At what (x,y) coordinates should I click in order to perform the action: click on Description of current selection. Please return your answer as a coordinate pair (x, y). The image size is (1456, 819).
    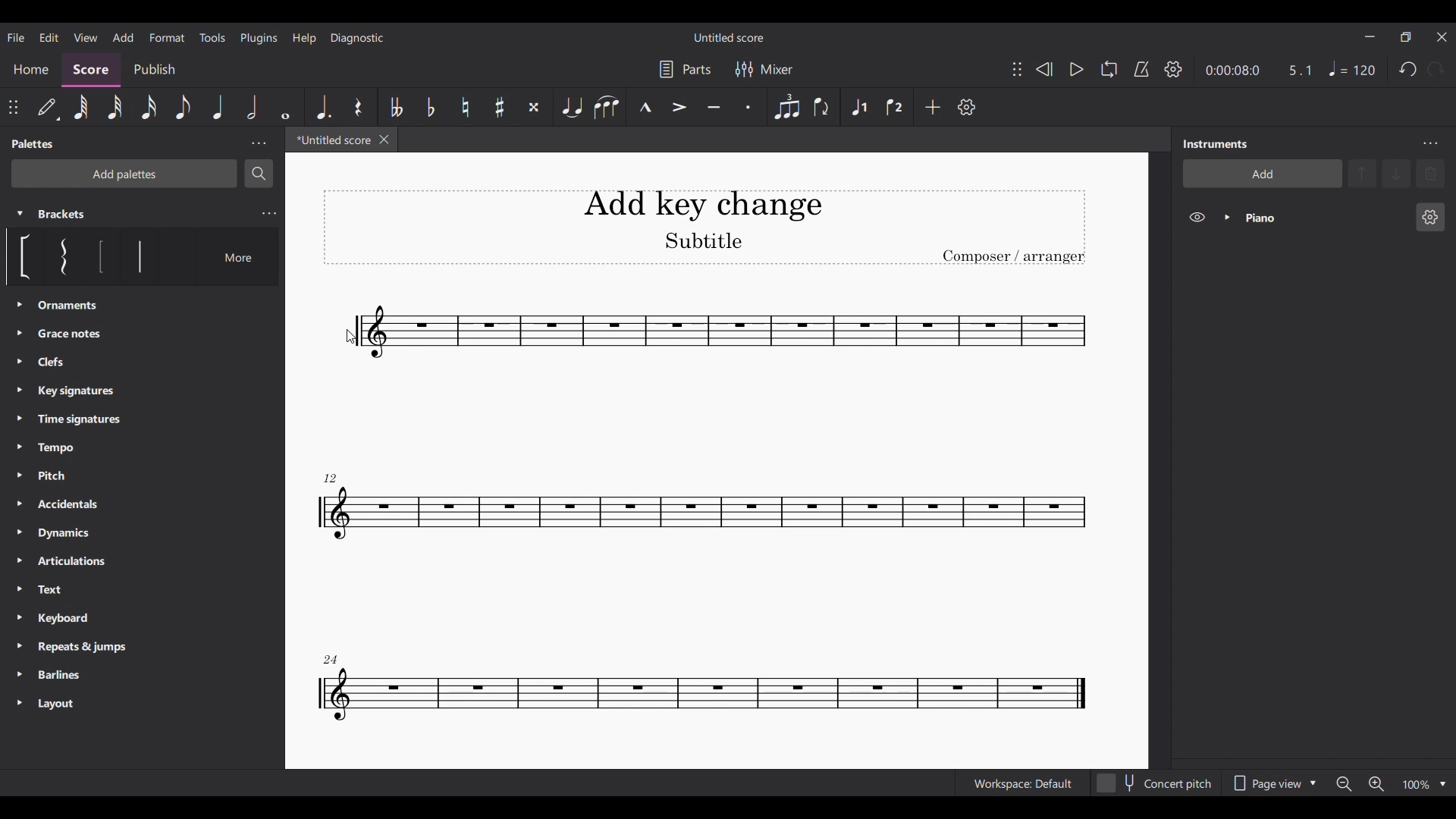
    Looking at the image, I should click on (140, 307).